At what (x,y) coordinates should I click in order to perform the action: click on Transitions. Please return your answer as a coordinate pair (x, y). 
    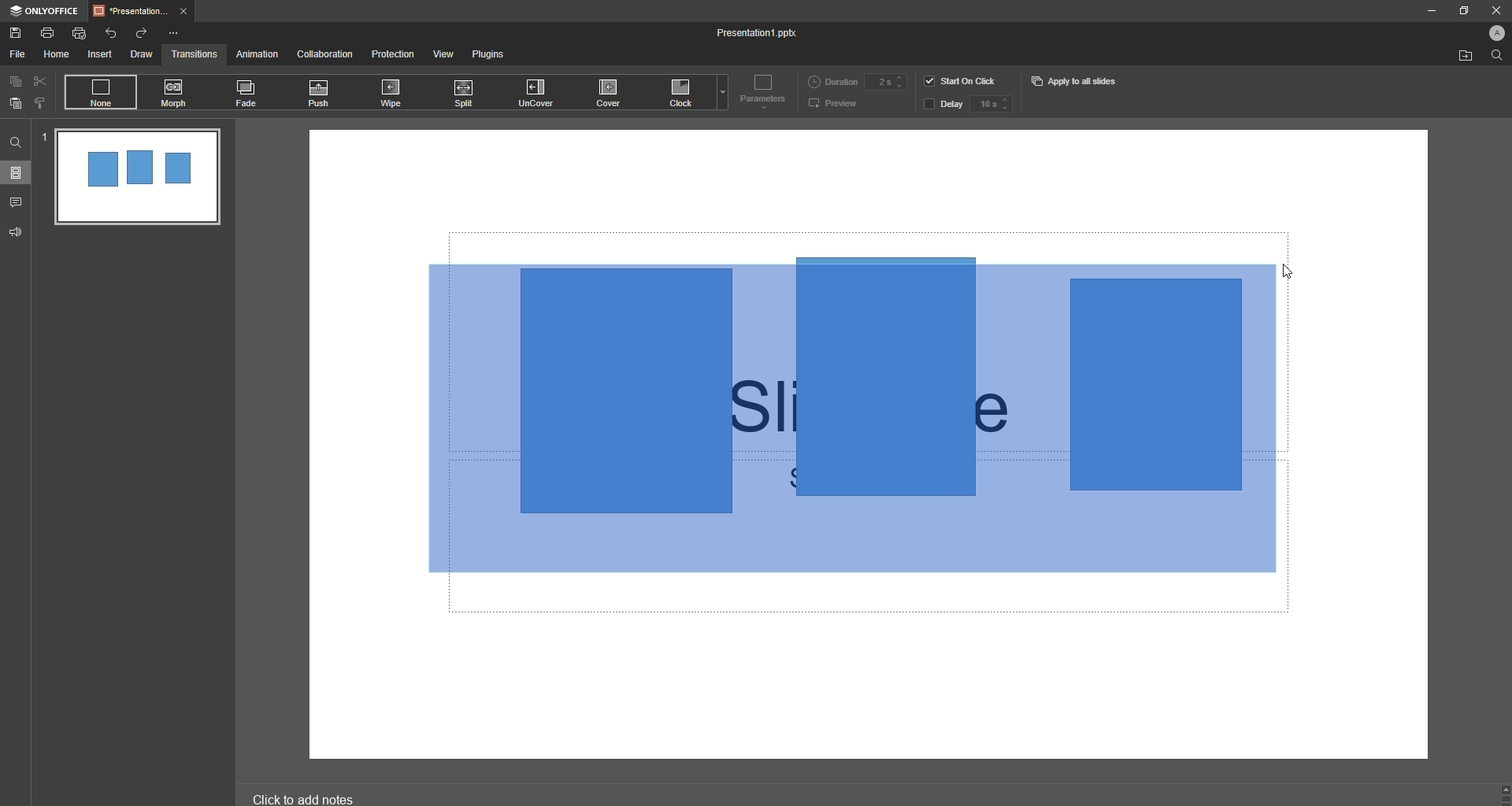
    Looking at the image, I should click on (195, 53).